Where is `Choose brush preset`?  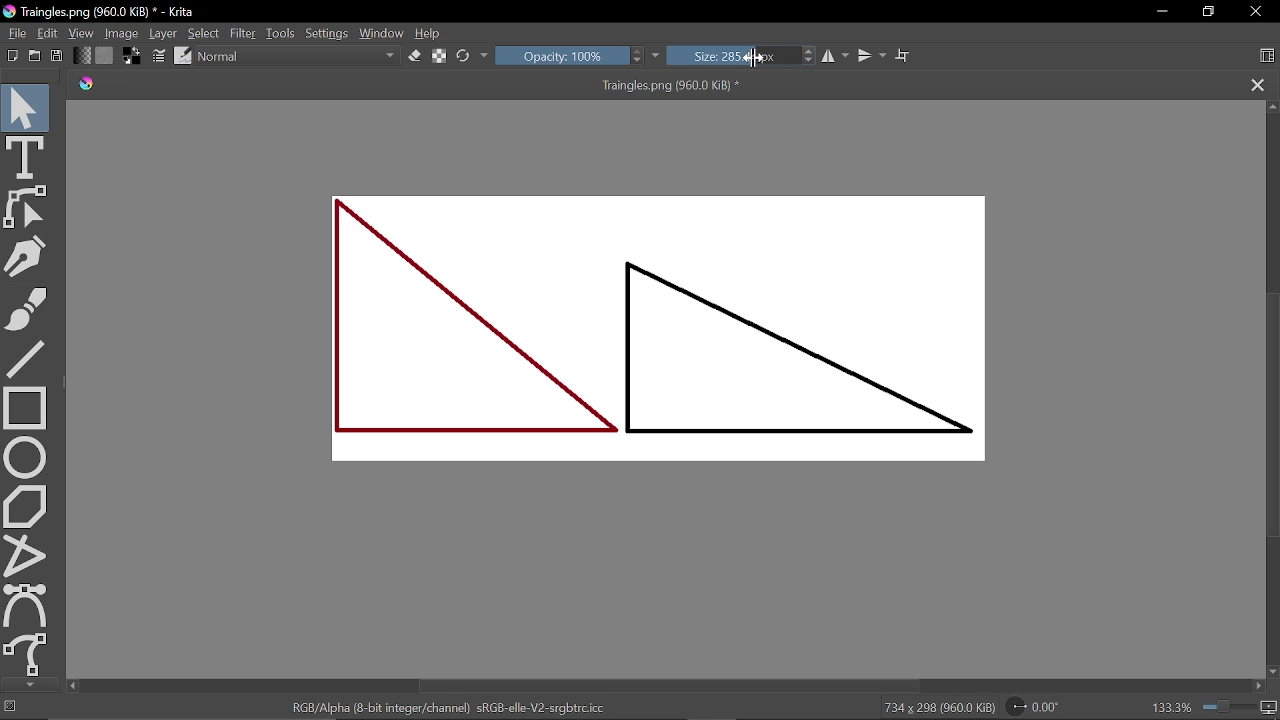 Choose brush preset is located at coordinates (183, 56).